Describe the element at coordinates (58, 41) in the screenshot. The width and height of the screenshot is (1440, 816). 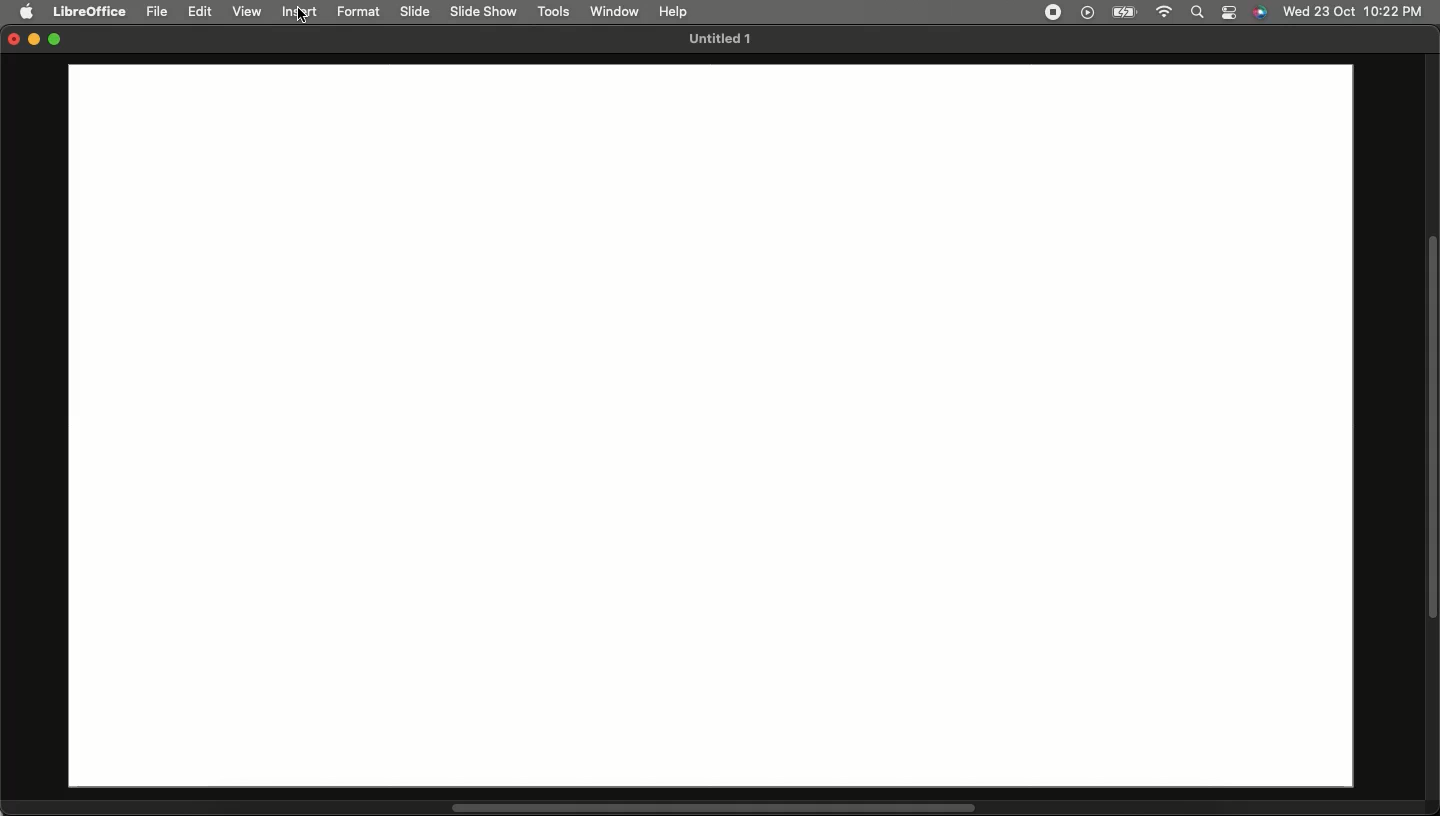
I see `Maximize` at that location.